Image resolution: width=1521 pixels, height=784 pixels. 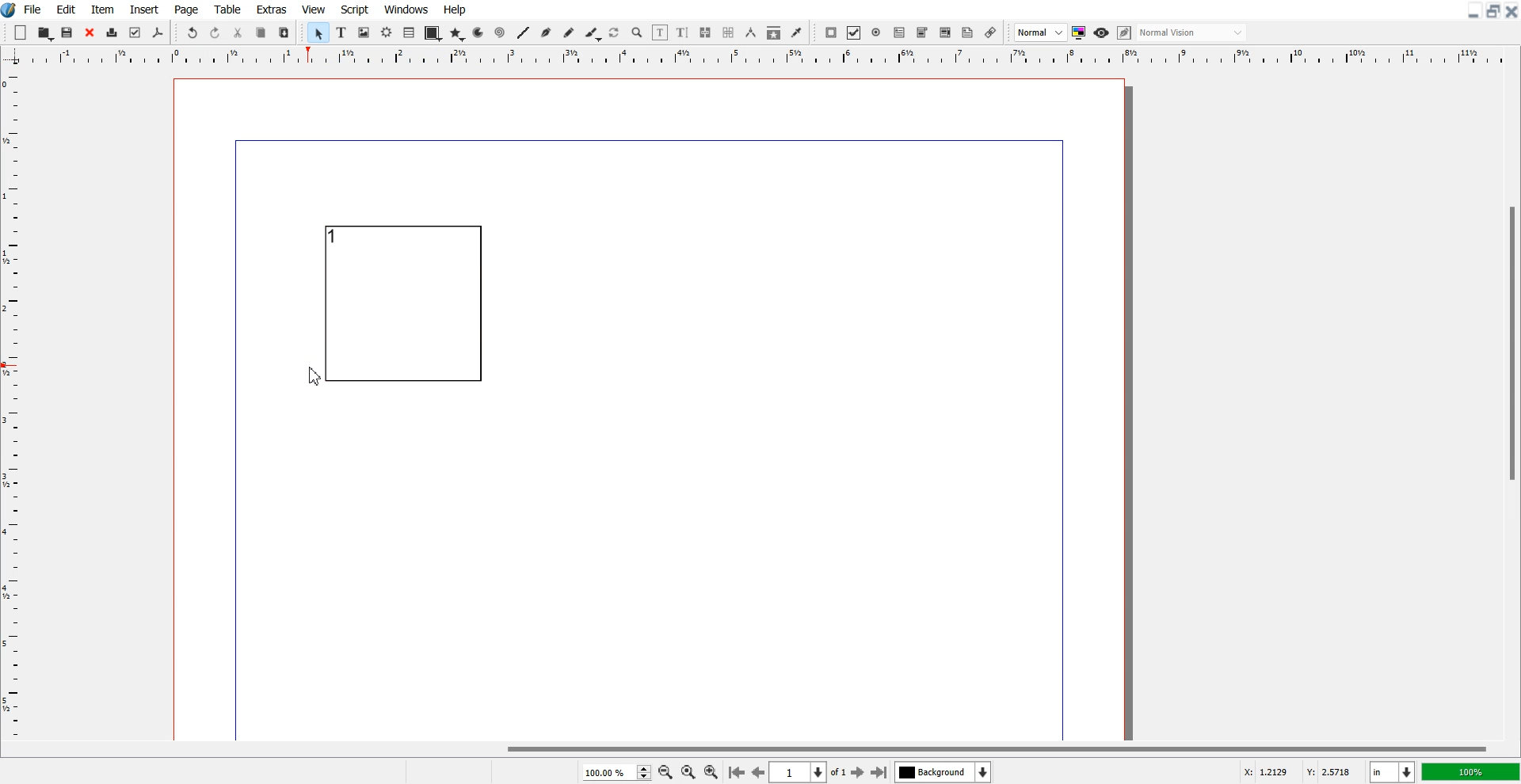 What do you see at coordinates (11, 393) in the screenshot?
I see `Vertical scale` at bounding box center [11, 393].